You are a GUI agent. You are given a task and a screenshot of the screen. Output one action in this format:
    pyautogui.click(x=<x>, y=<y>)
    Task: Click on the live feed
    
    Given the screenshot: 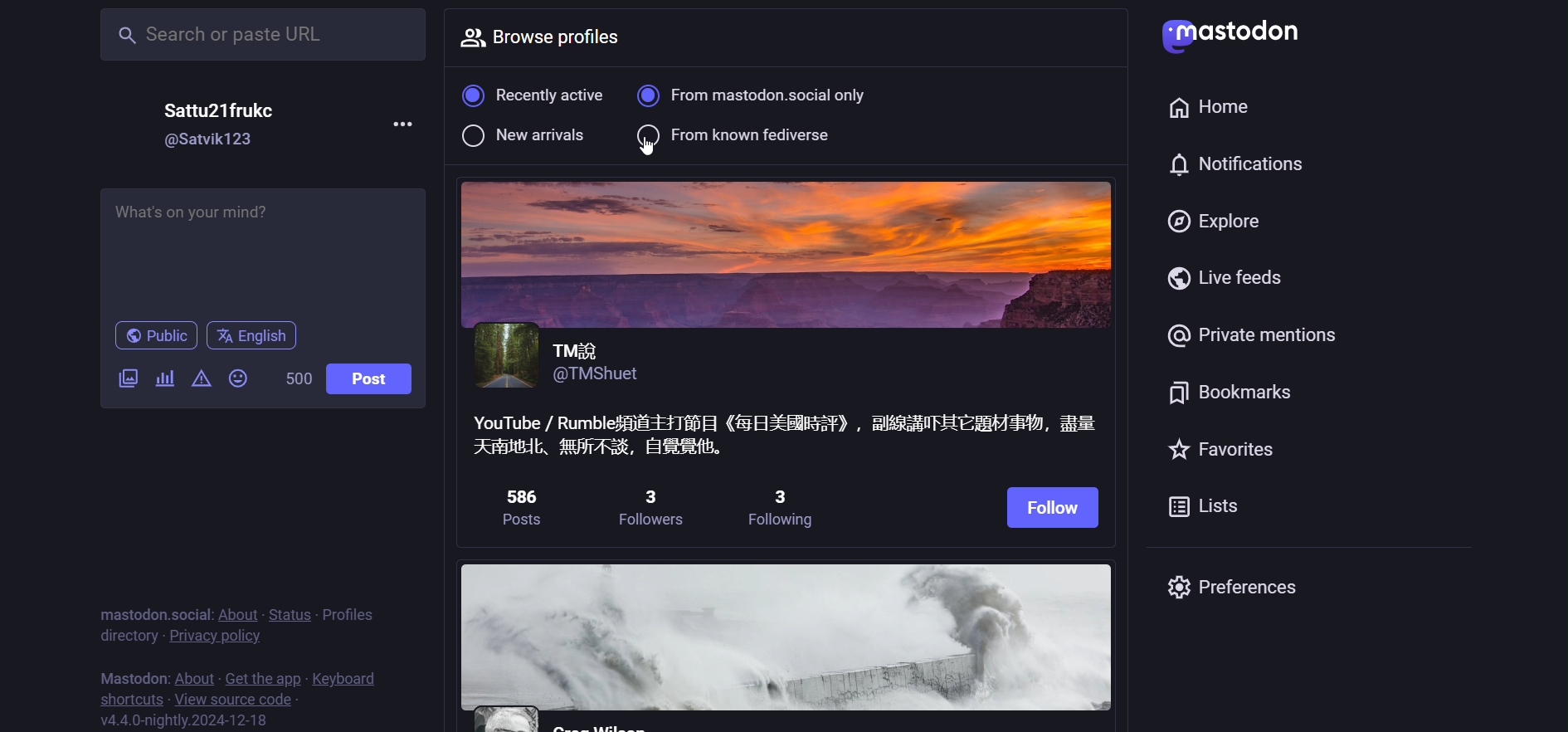 What is the action you would take?
    pyautogui.click(x=1234, y=280)
    